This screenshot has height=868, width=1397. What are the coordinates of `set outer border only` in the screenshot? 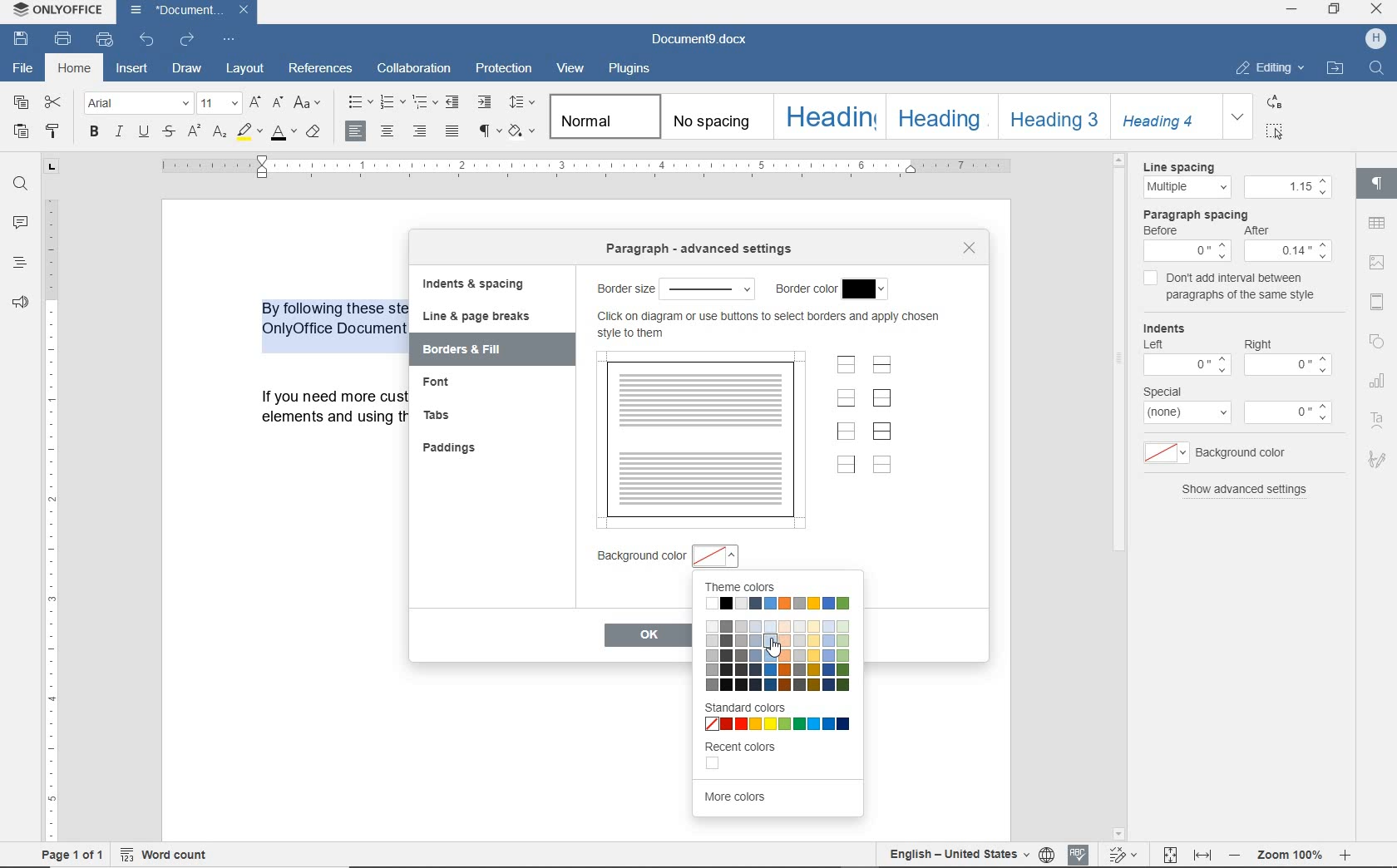 It's located at (881, 401).